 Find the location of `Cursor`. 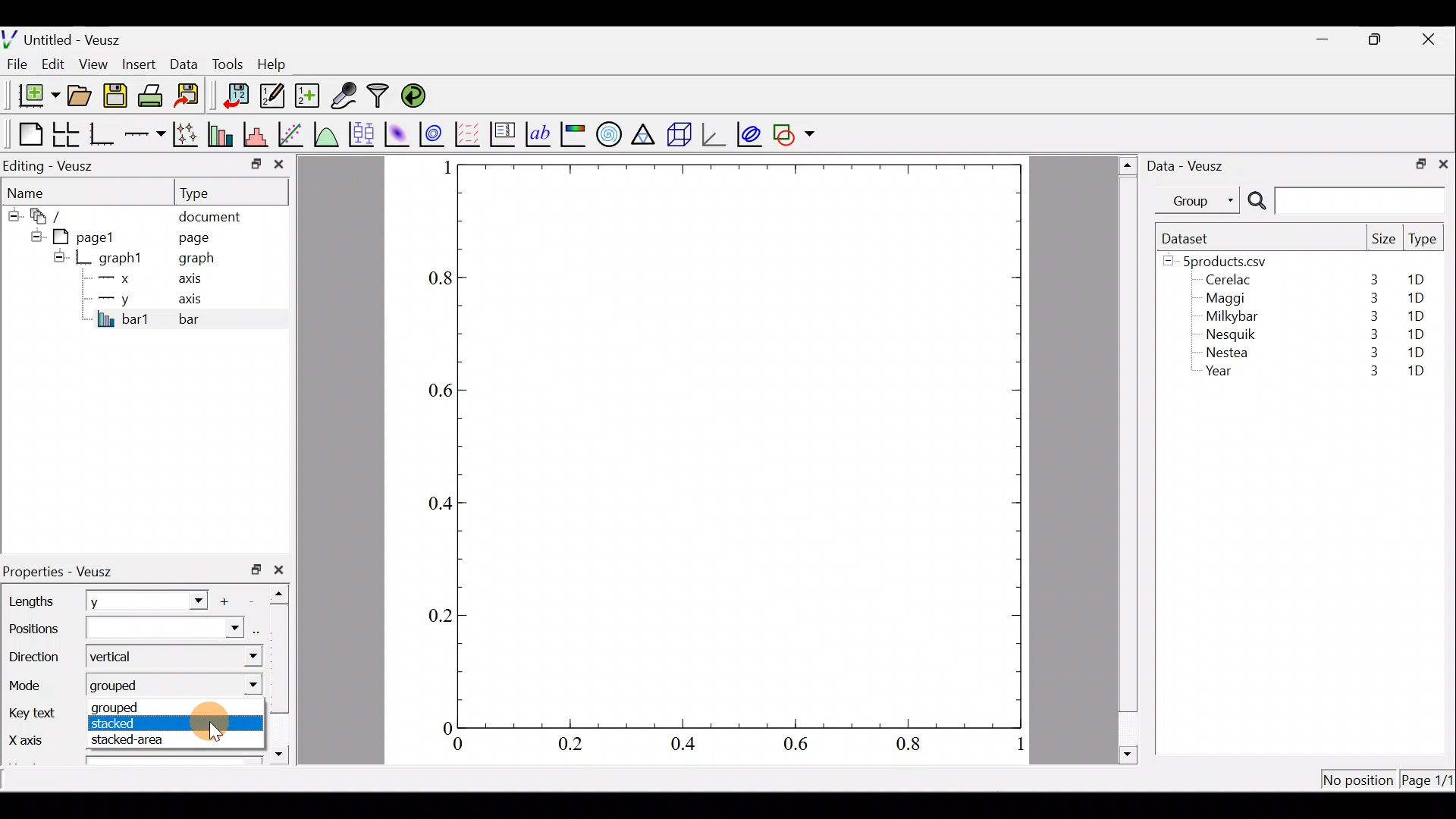

Cursor is located at coordinates (211, 724).